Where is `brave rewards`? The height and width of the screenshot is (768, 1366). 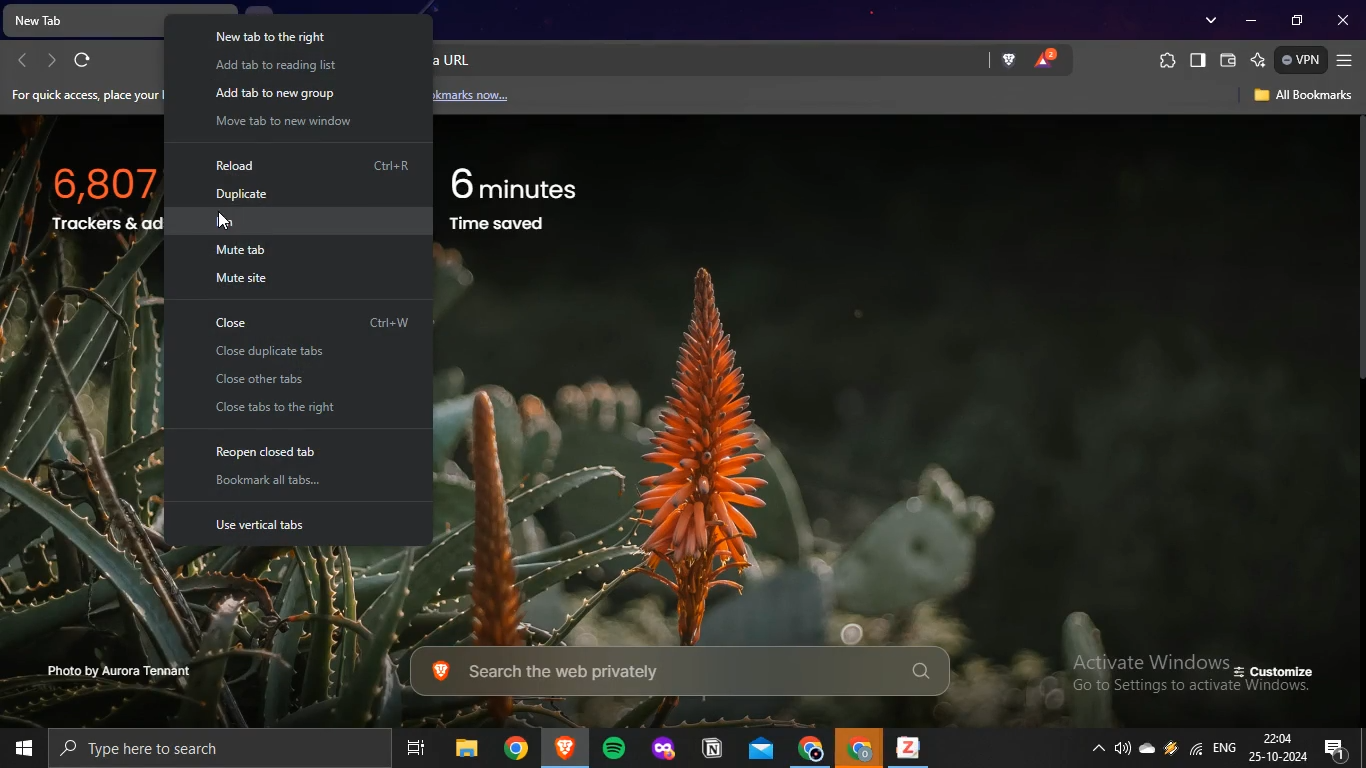 brave rewards is located at coordinates (1046, 58).